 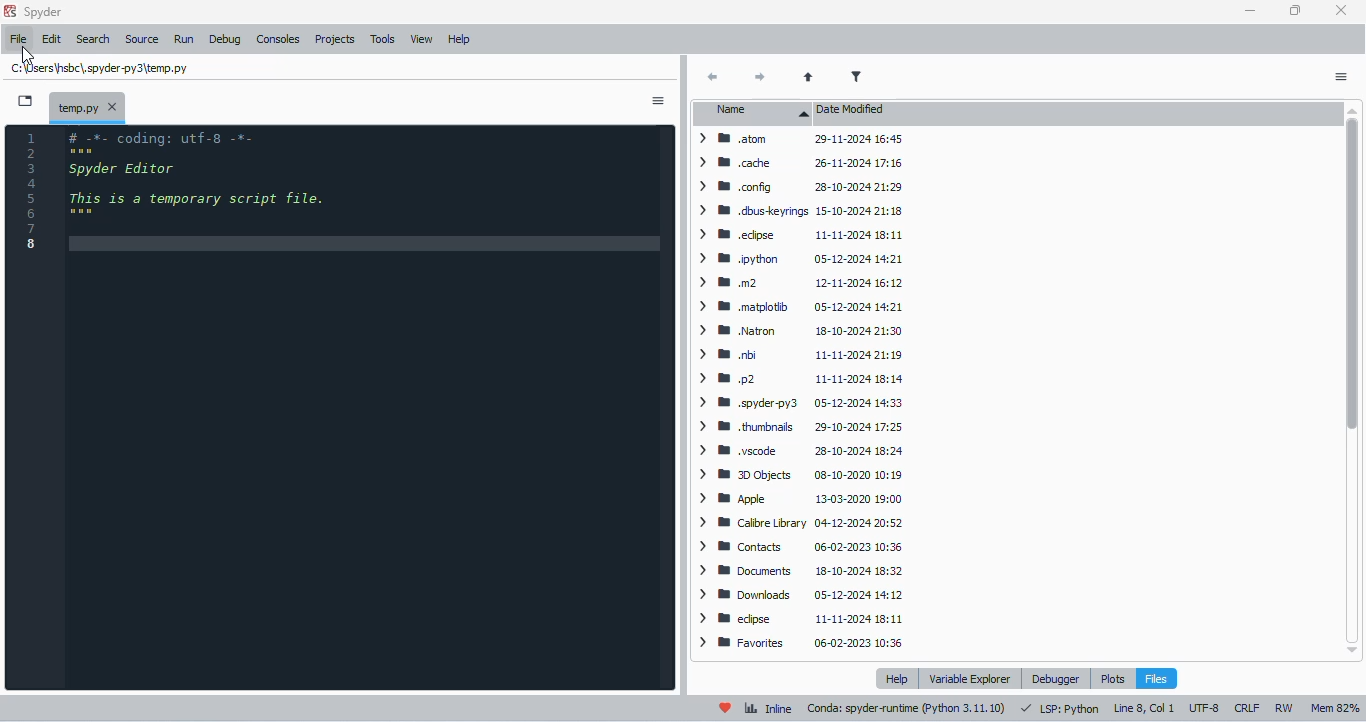 I want to click on RW, so click(x=1284, y=708).